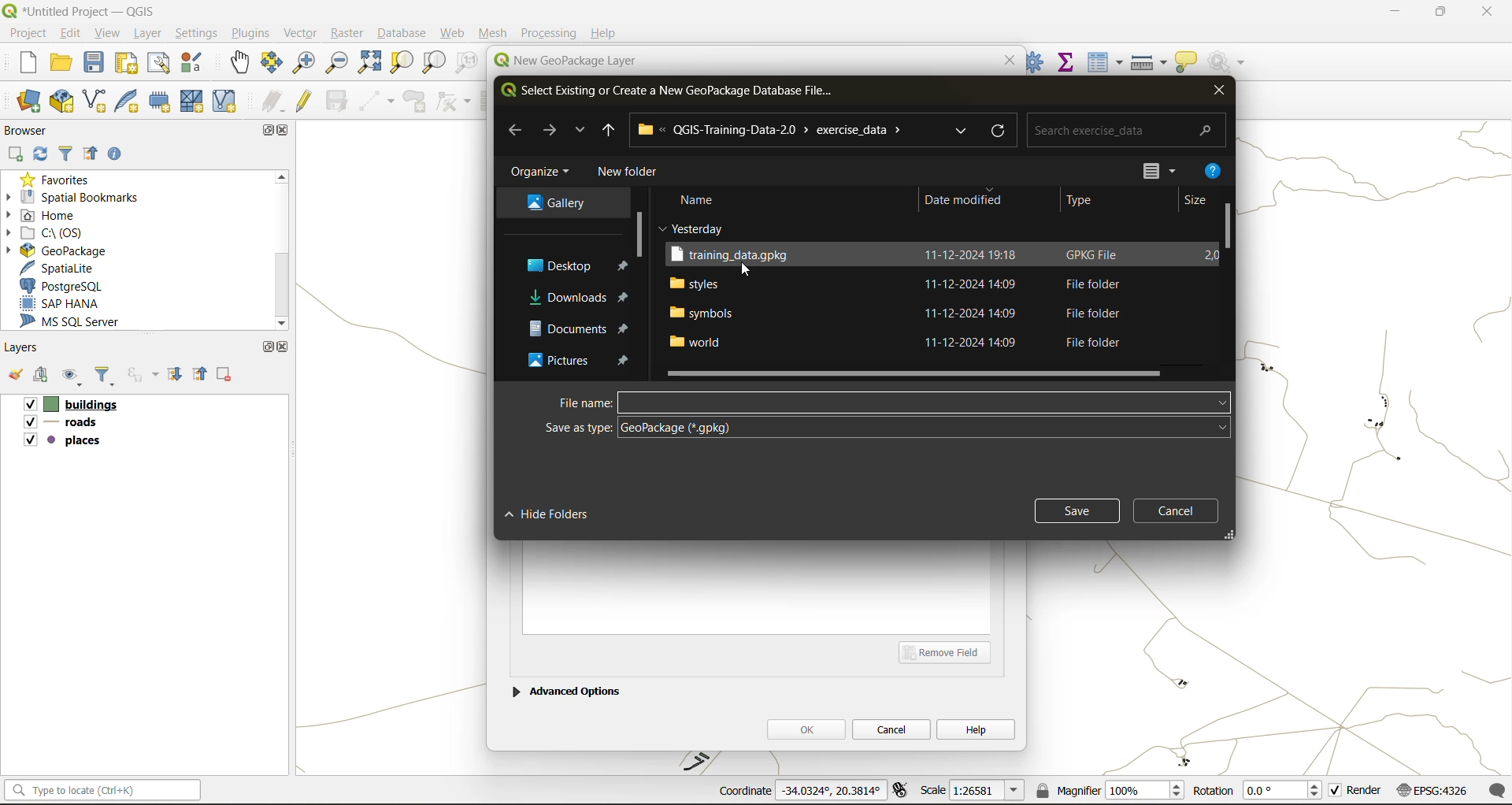 This screenshot has width=1512, height=805. What do you see at coordinates (161, 102) in the screenshot?
I see `temporary scratch layer` at bounding box center [161, 102].